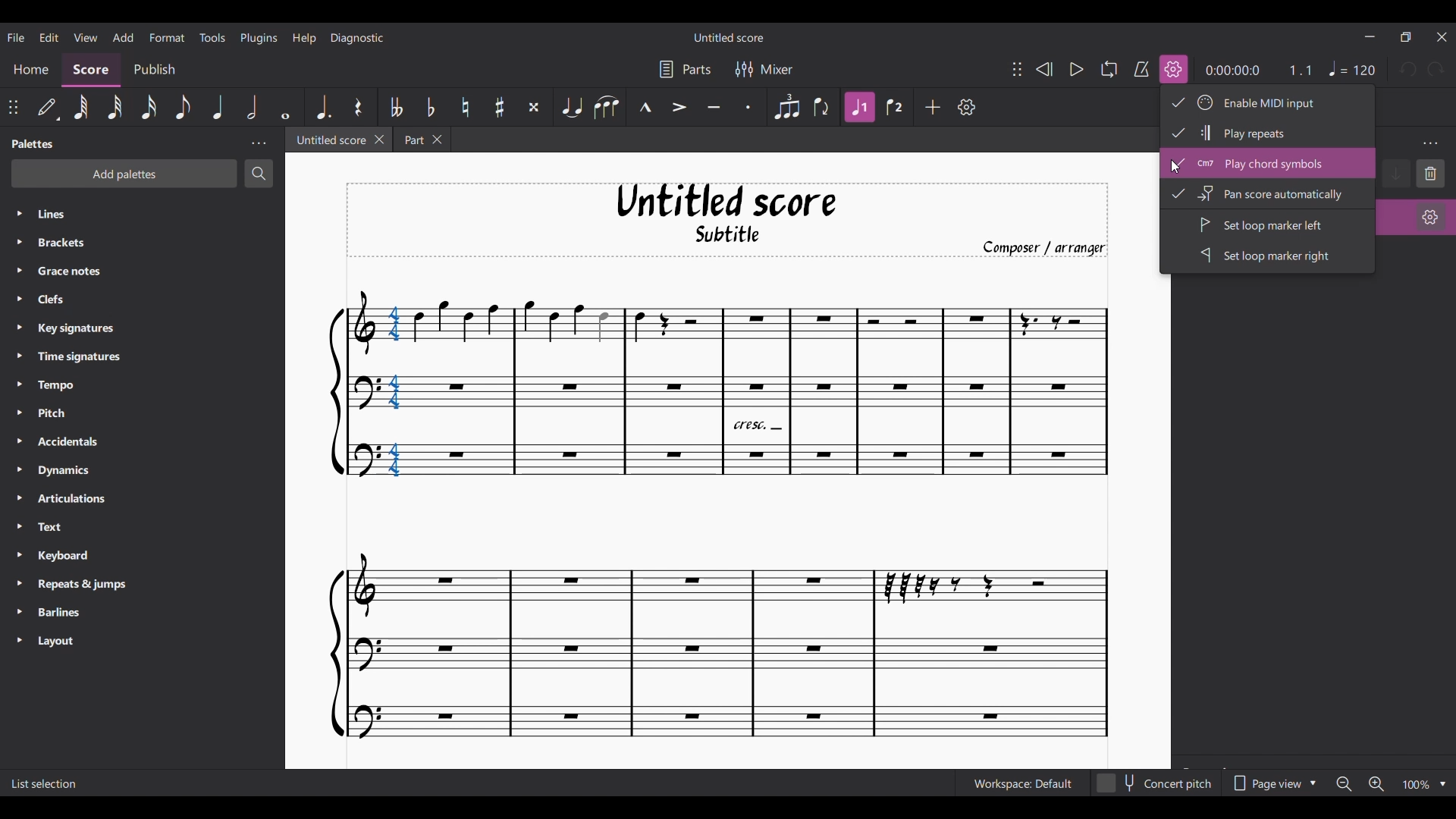  What do you see at coordinates (1259, 70) in the screenshot?
I see `Current ratio and duration` at bounding box center [1259, 70].